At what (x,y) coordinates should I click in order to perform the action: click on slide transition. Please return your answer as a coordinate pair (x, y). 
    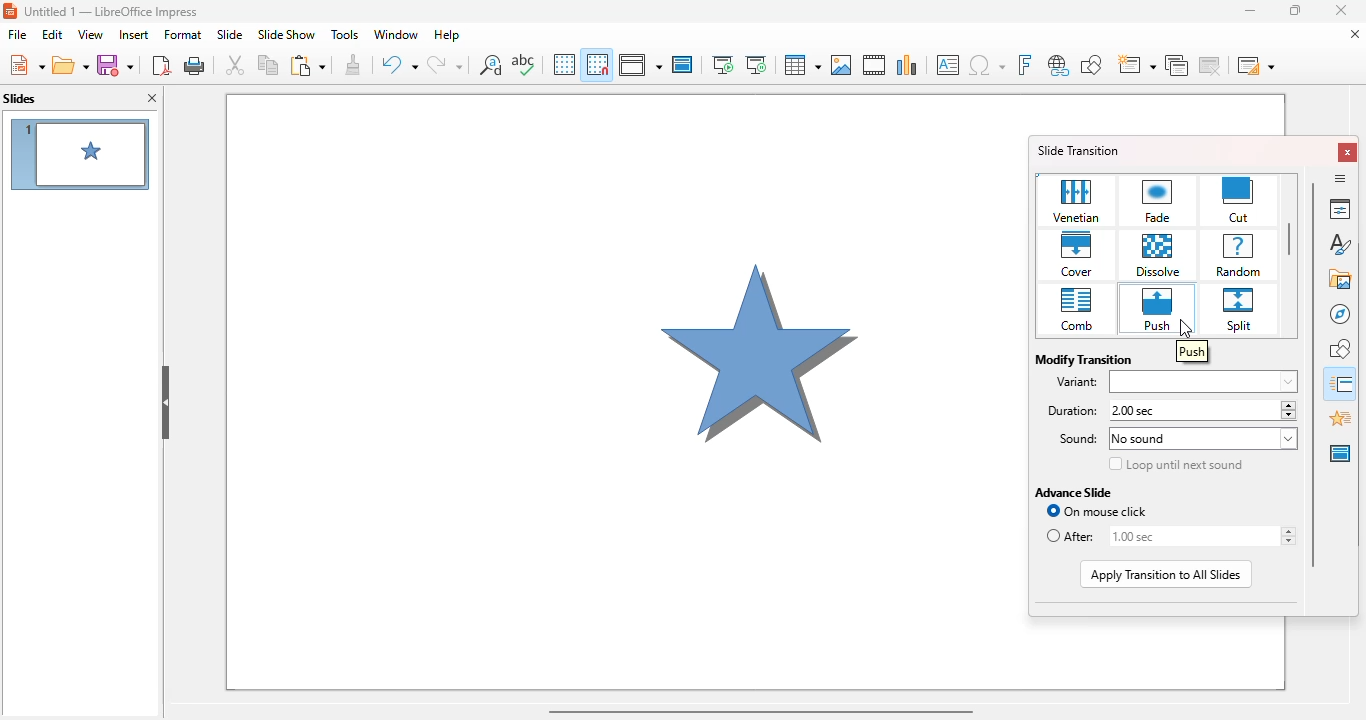
    Looking at the image, I should click on (1079, 150).